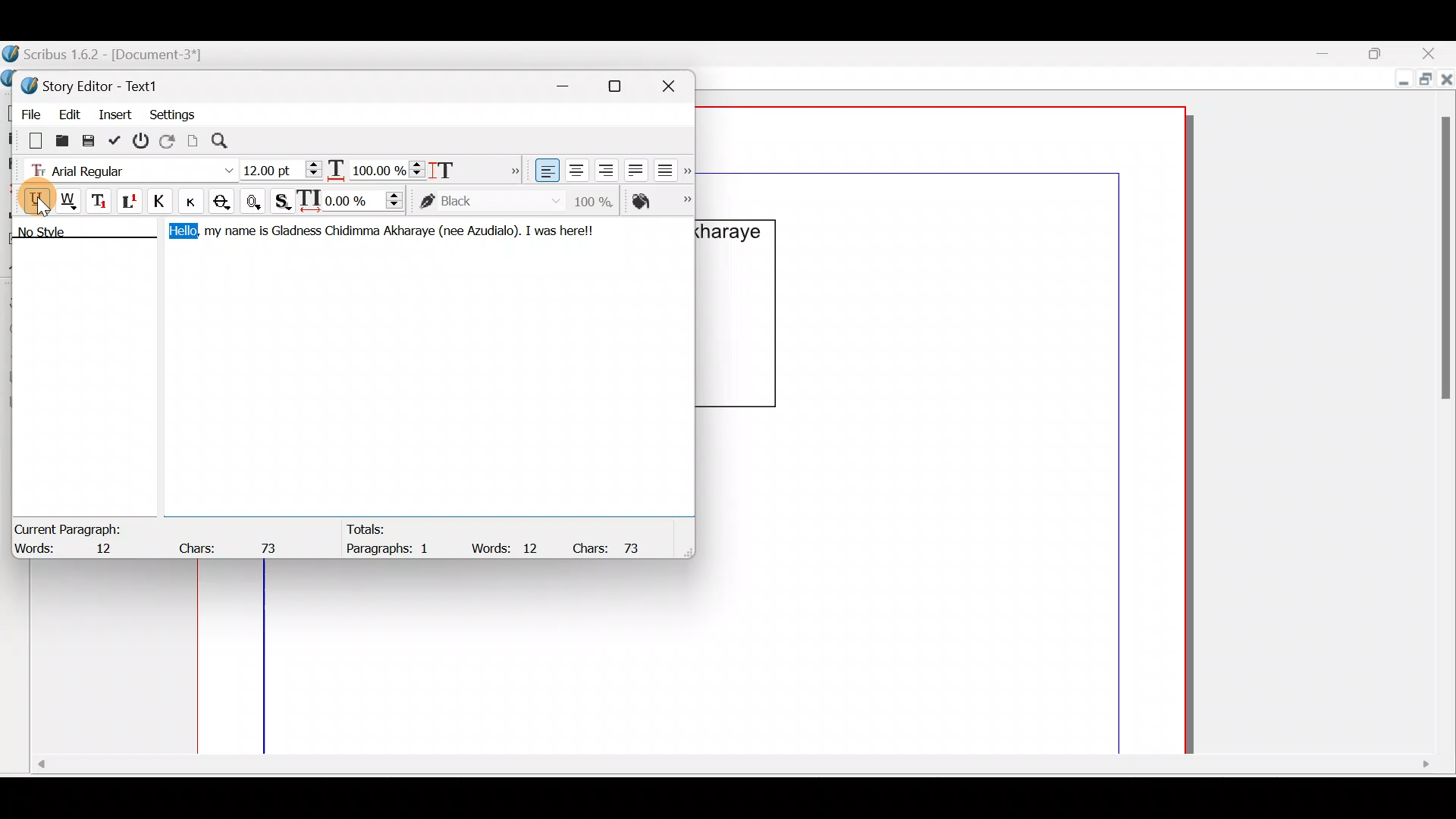  I want to click on Maximize, so click(1423, 81).